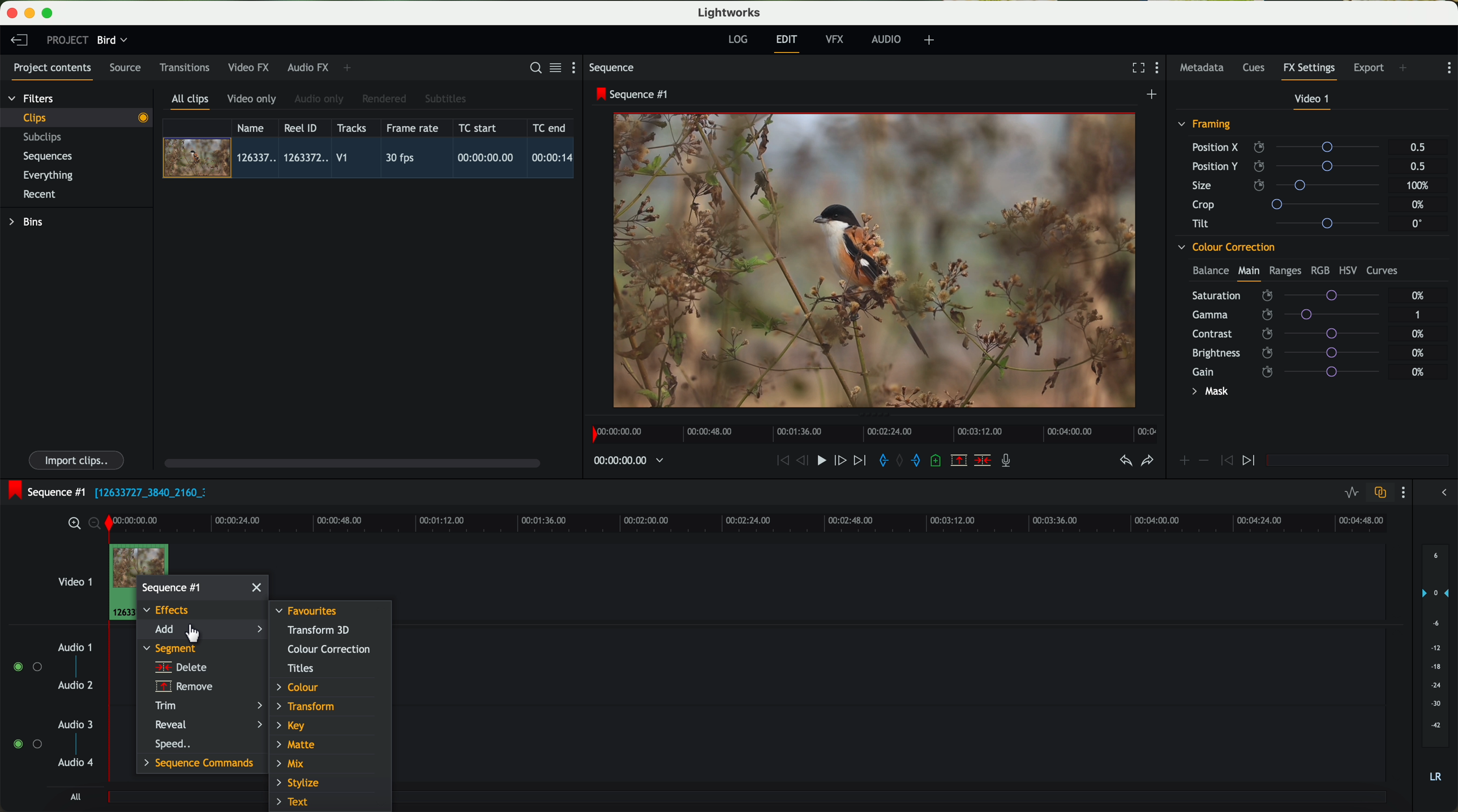 The width and height of the screenshot is (1458, 812). What do you see at coordinates (125, 68) in the screenshot?
I see `source` at bounding box center [125, 68].